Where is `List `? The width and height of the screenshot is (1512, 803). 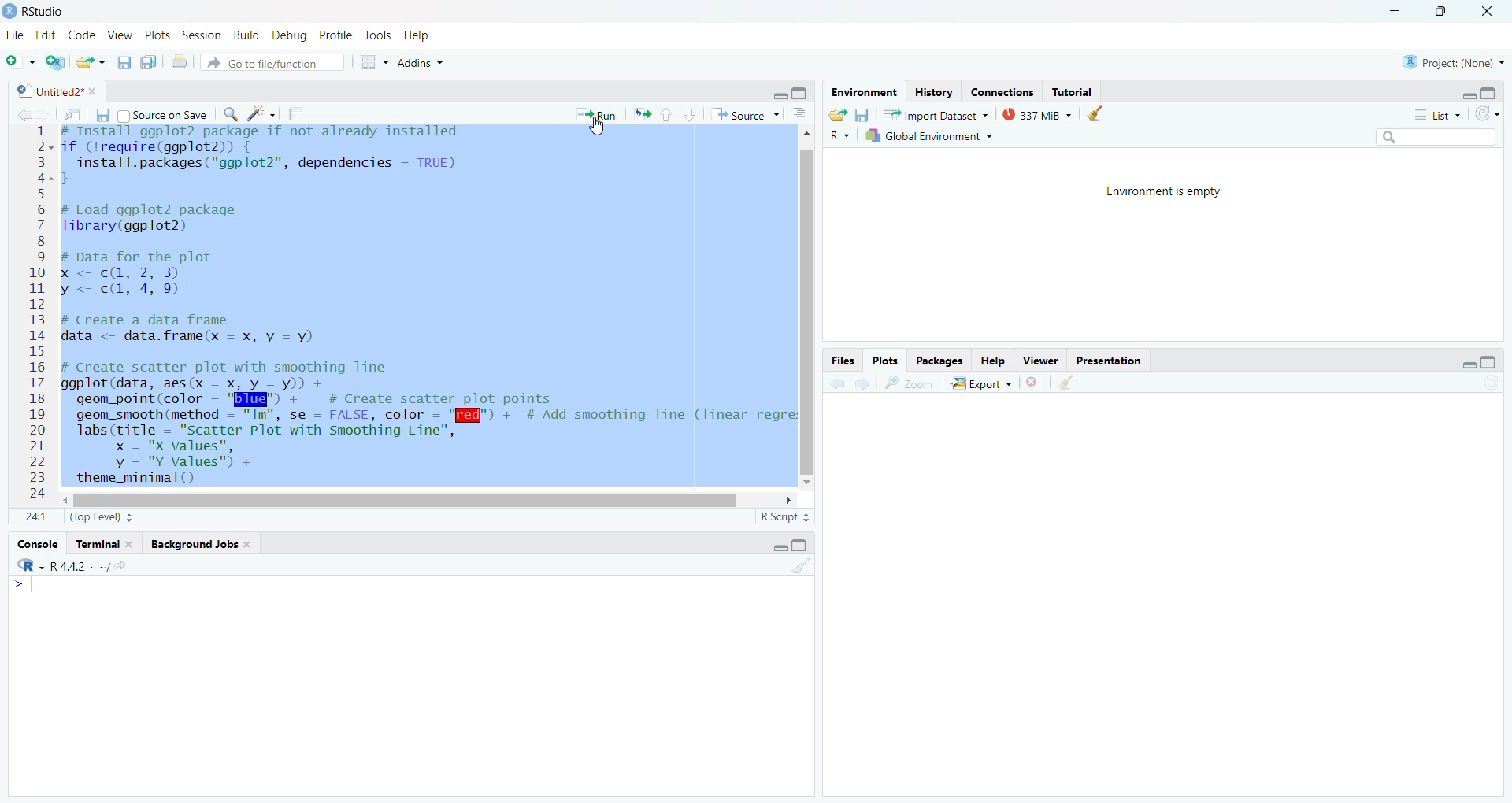 List  is located at coordinates (1439, 116).